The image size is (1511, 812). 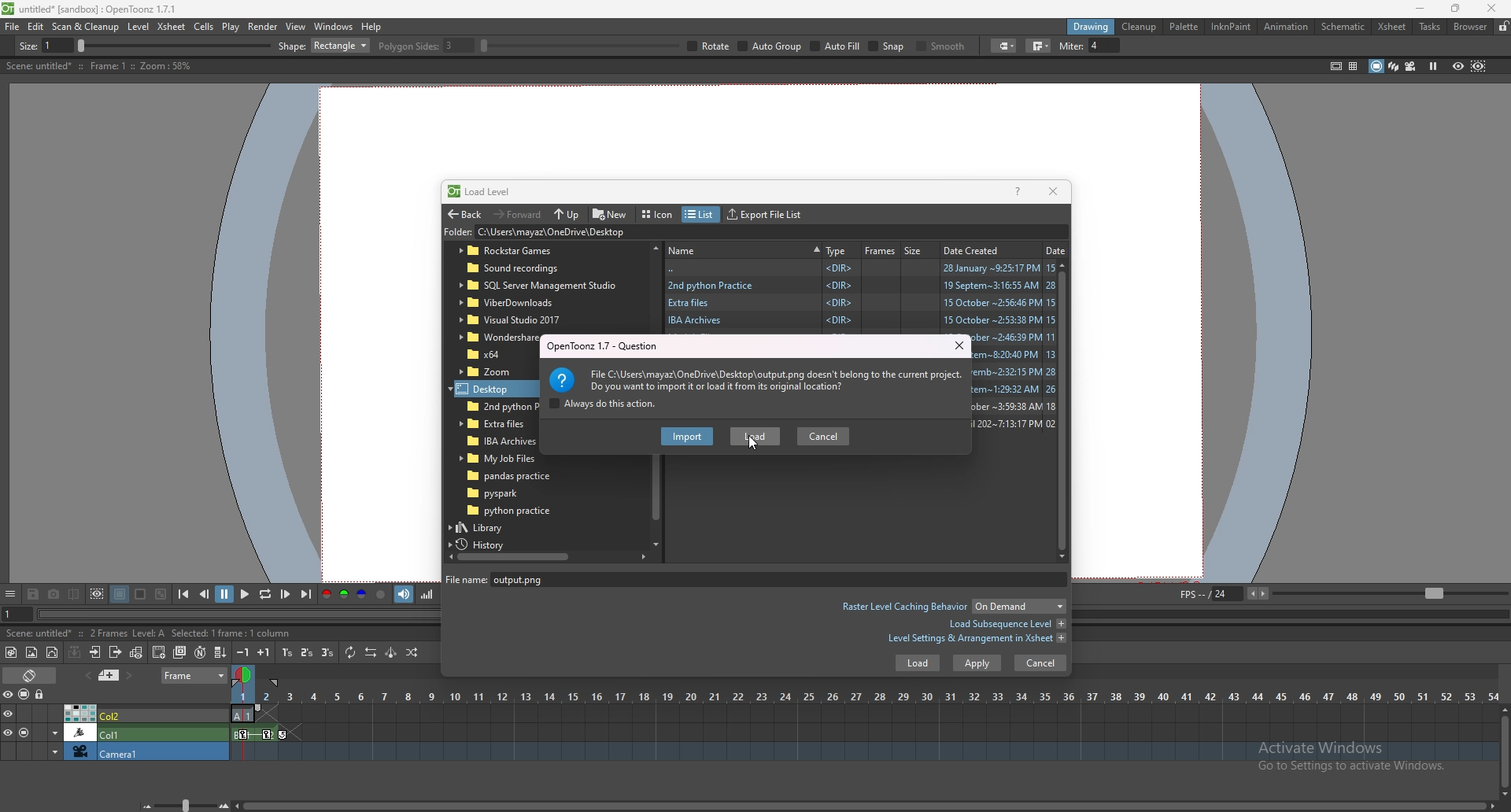 What do you see at coordinates (526, 269) in the screenshot?
I see `folder` at bounding box center [526, 269].